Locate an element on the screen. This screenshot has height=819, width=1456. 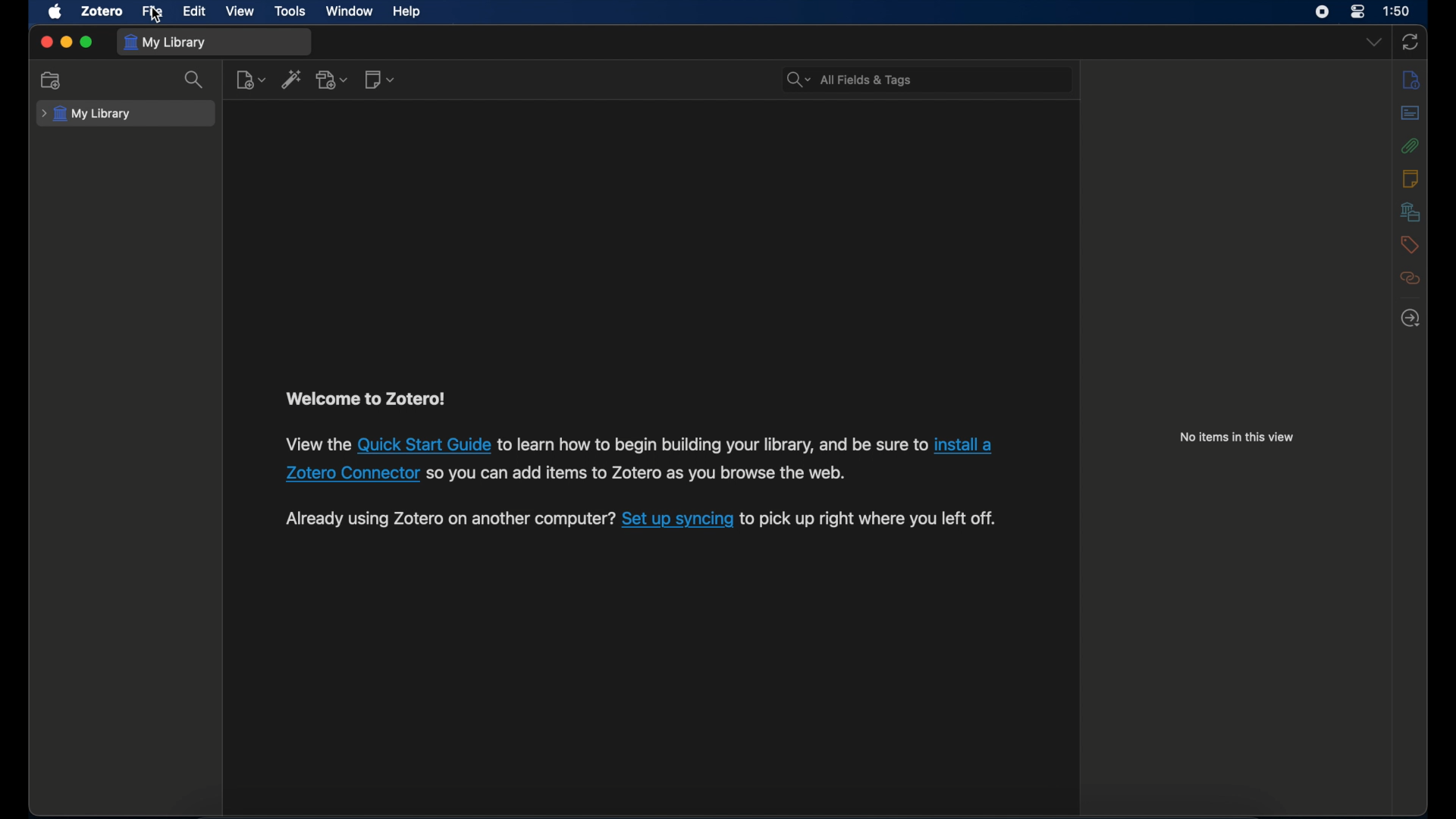
window is located at coordinates (350, 11).